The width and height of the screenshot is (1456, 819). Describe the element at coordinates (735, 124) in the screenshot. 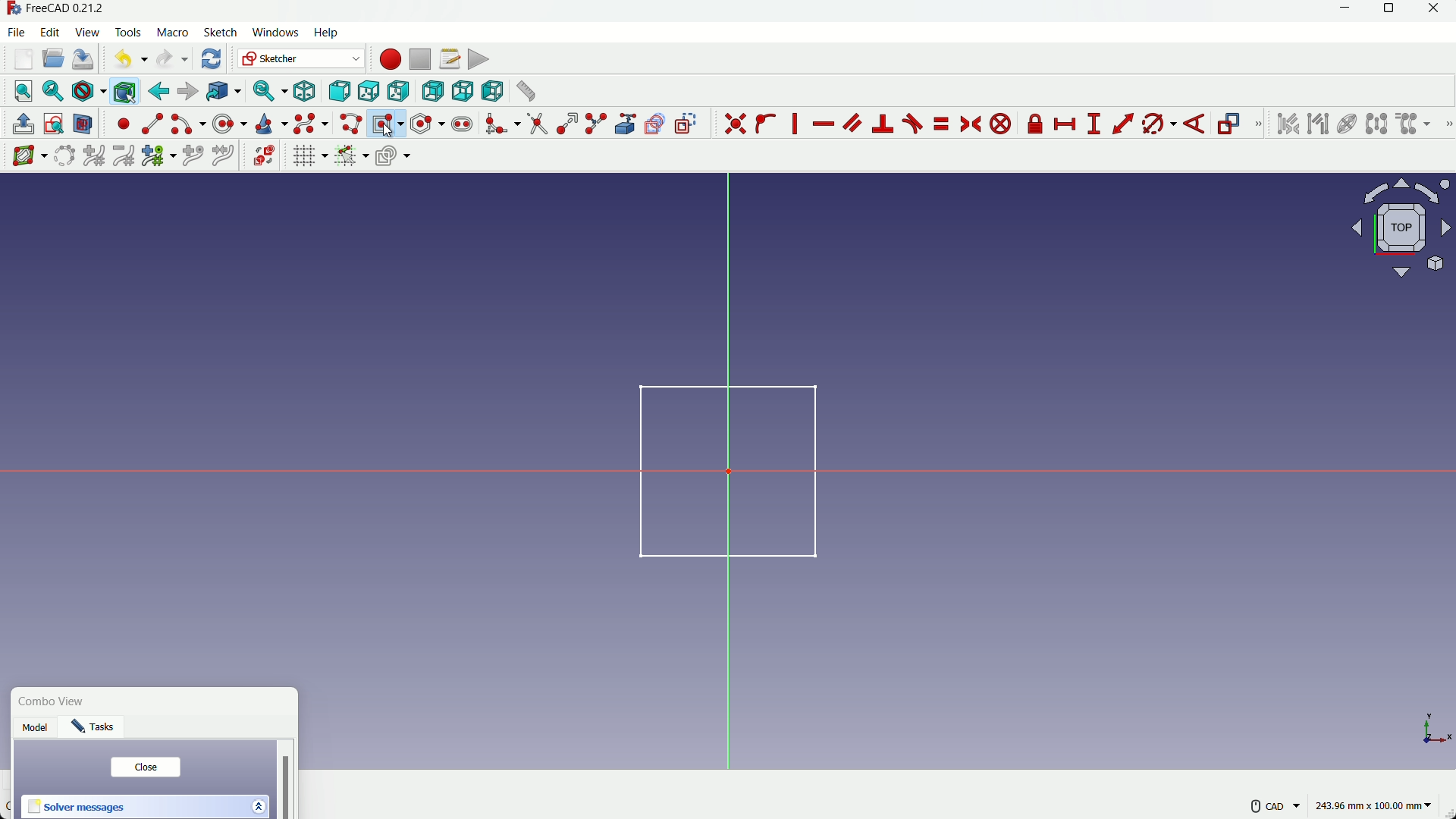

I see `constraint coincident` at that location.